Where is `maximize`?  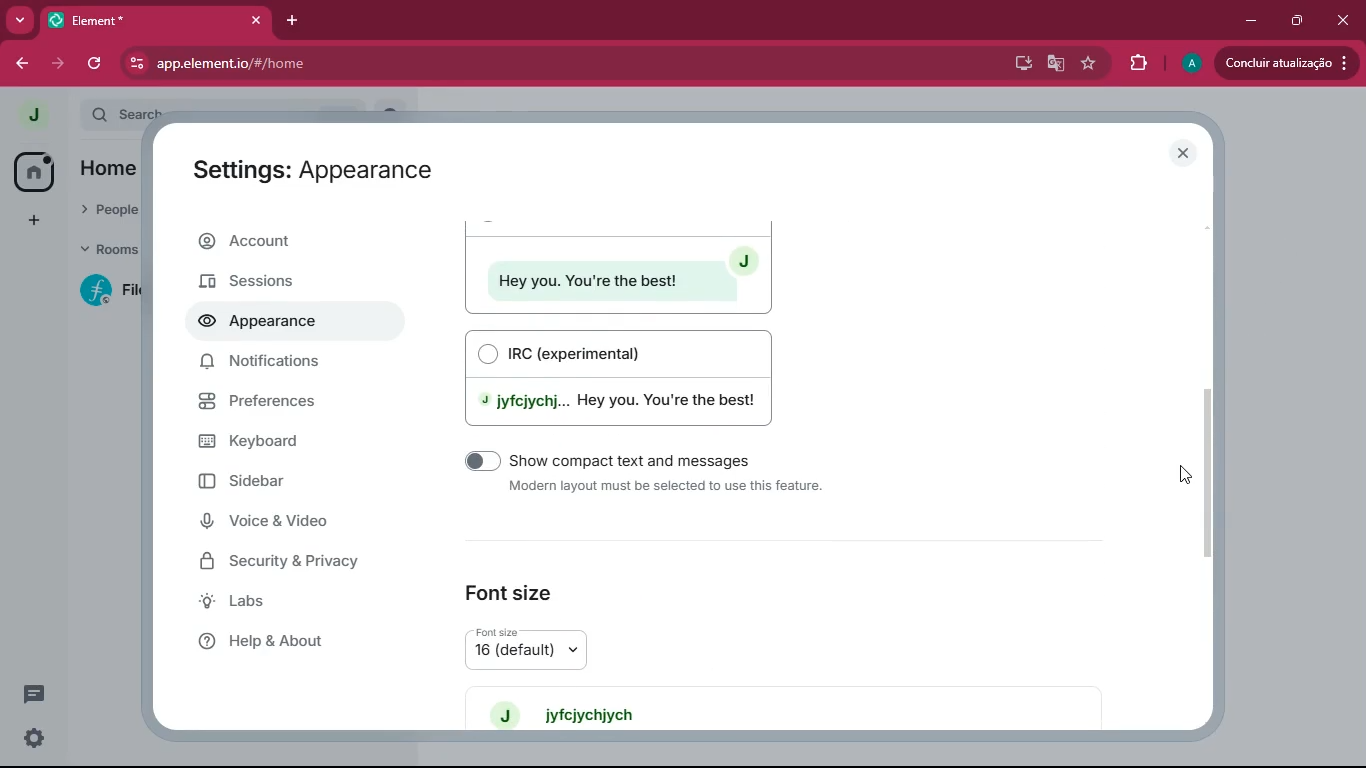
maximize is located at coordinates (1299, 20).